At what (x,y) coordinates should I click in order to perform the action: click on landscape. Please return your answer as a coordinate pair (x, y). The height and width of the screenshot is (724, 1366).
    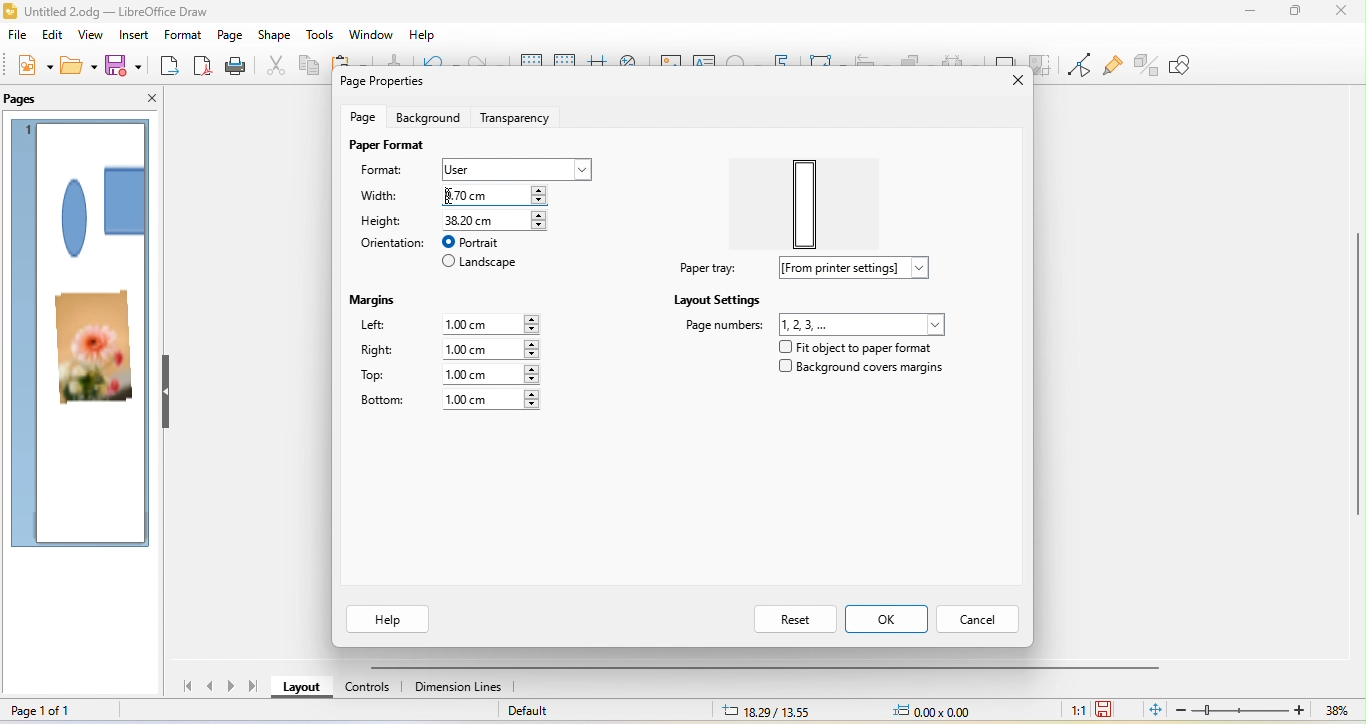
    Looking at the image, I should click on (487, 262).